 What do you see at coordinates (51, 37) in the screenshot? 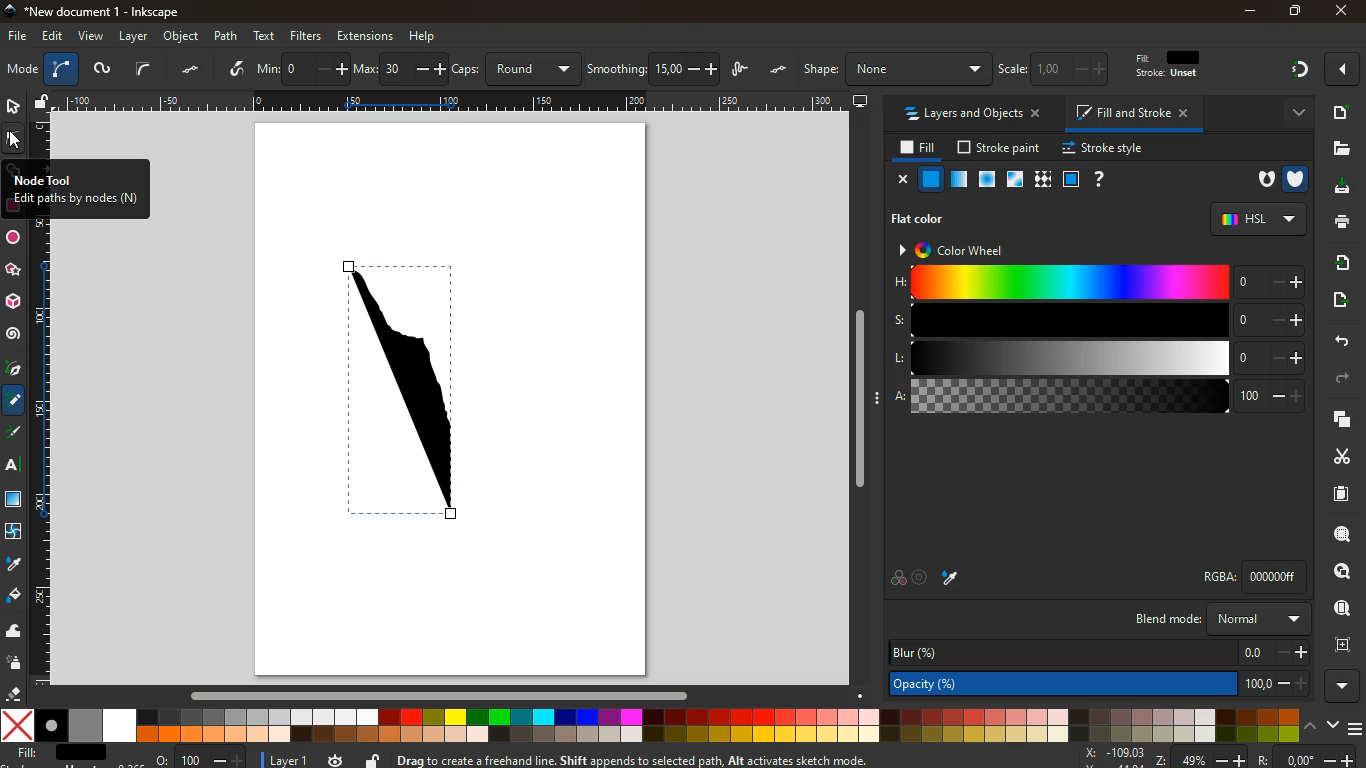
I see `edit` at bounding box center [51, 37].